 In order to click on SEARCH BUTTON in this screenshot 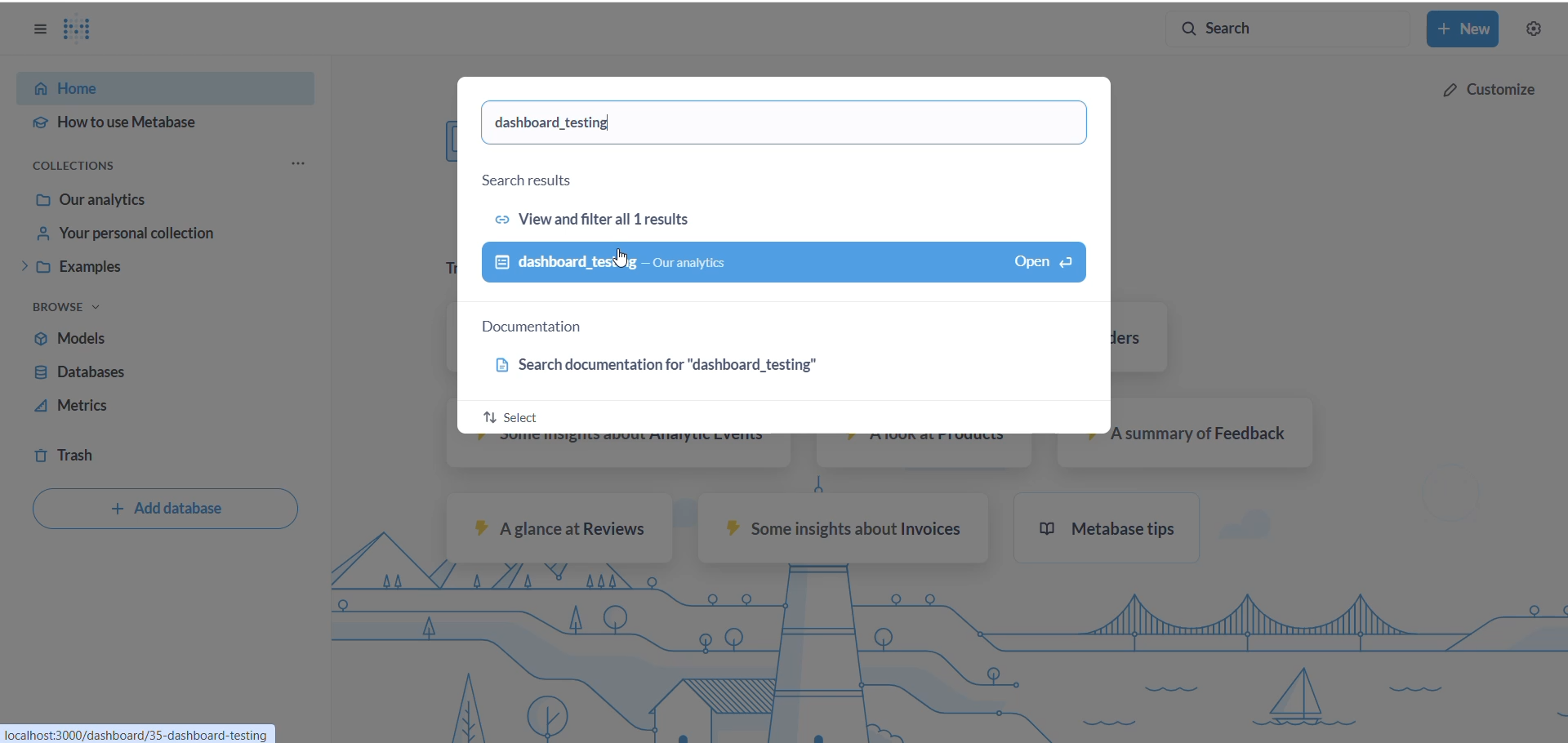, I will do `click(1287, 29)`.